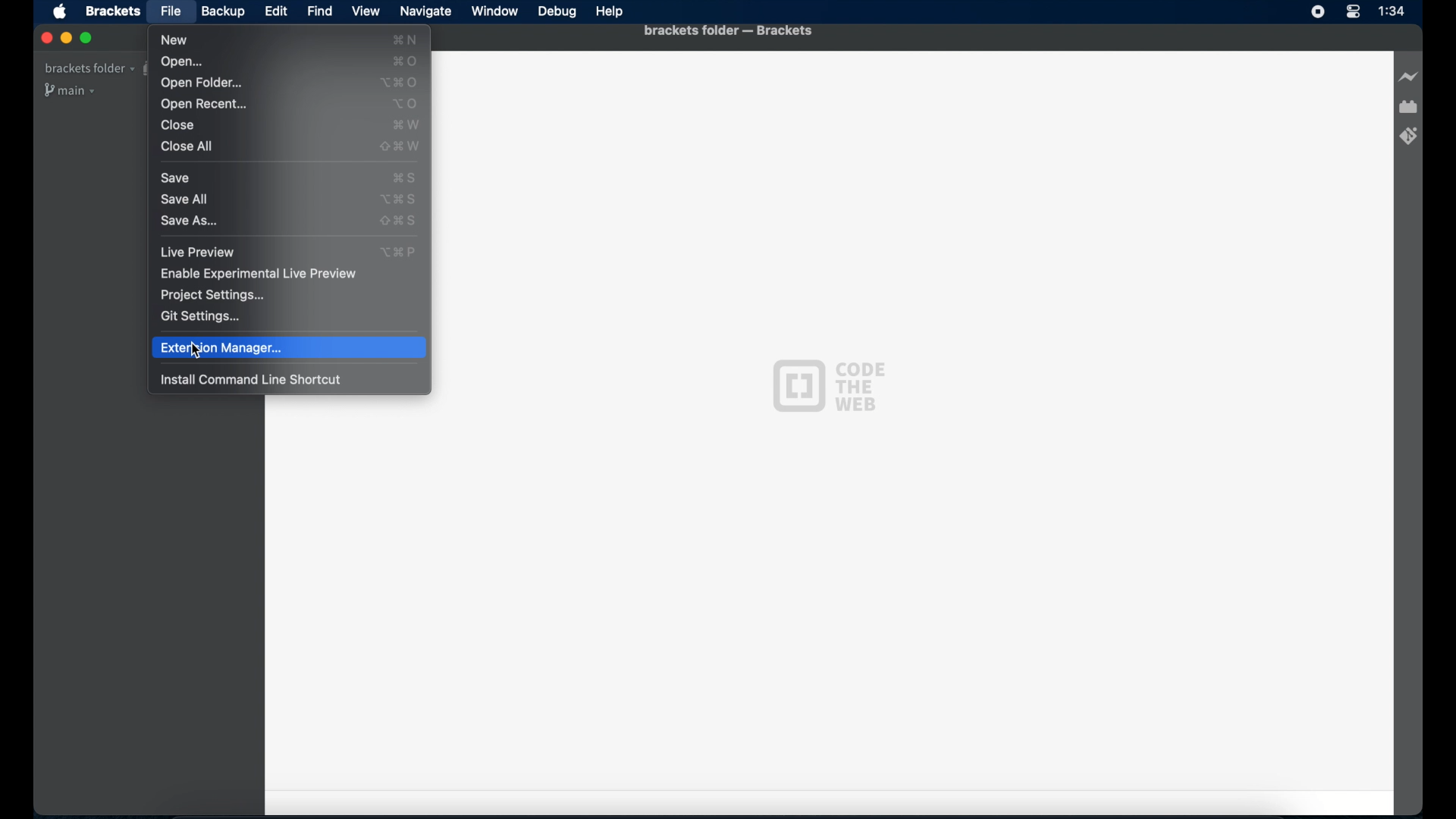 The image size is (1456, 819). What do you see at coordinates (407, 124) in the screenshot?
I see `close shortcut` at bounding box center [407, 124].